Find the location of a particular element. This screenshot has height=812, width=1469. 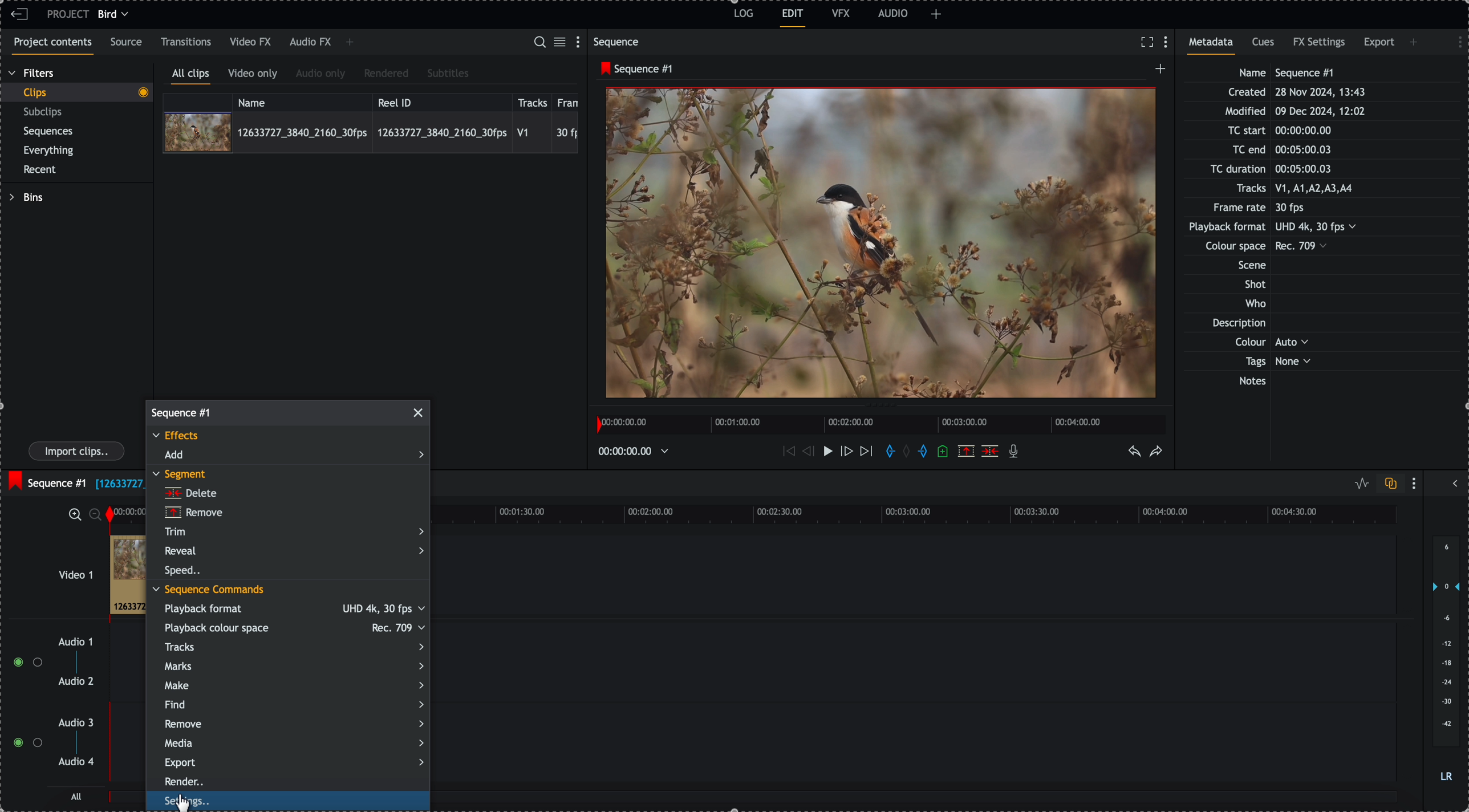

show/hide full audio mix is located at coordinates (1454, 482).